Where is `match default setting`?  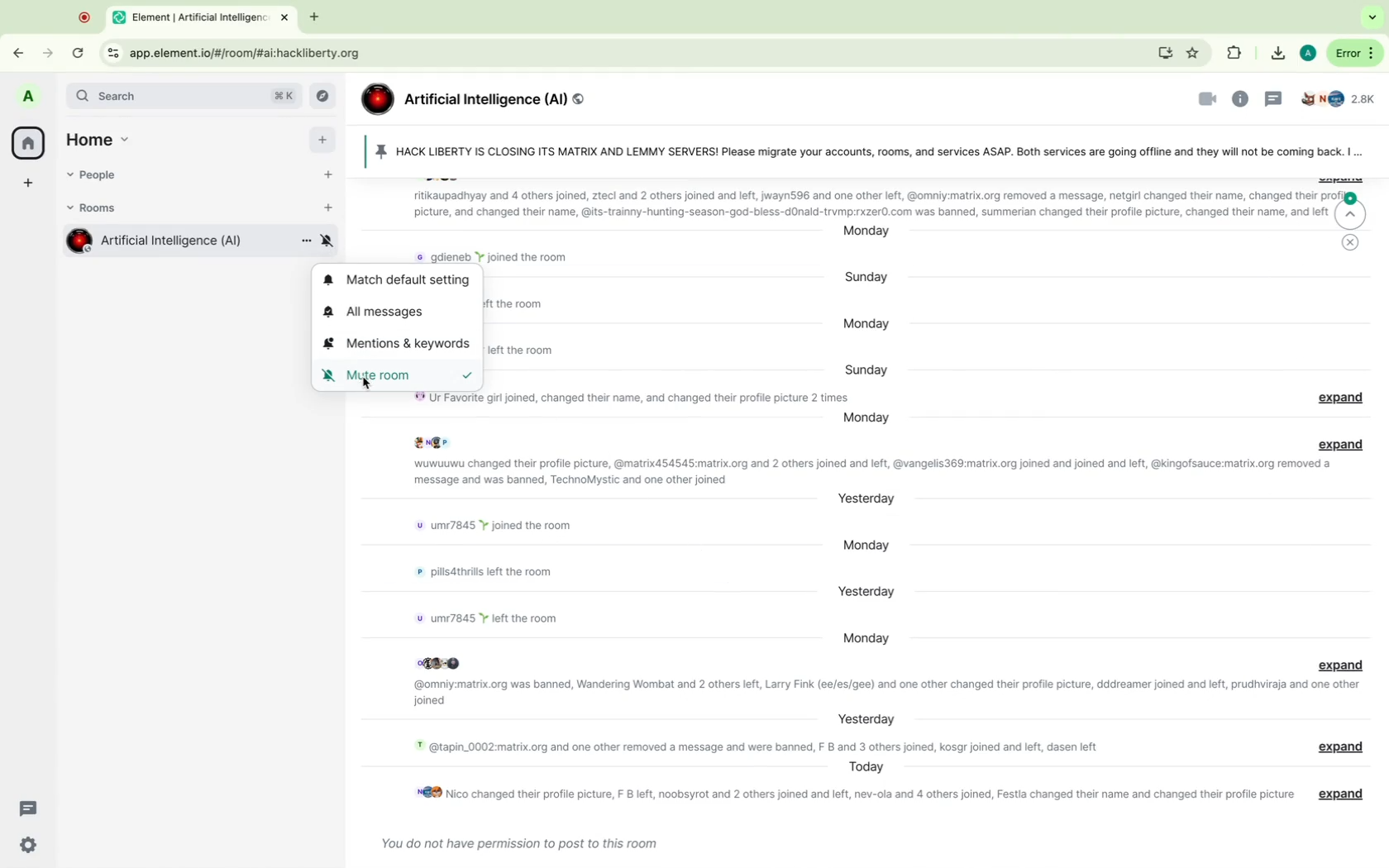 match default setting is located at coordinates (399, 280).